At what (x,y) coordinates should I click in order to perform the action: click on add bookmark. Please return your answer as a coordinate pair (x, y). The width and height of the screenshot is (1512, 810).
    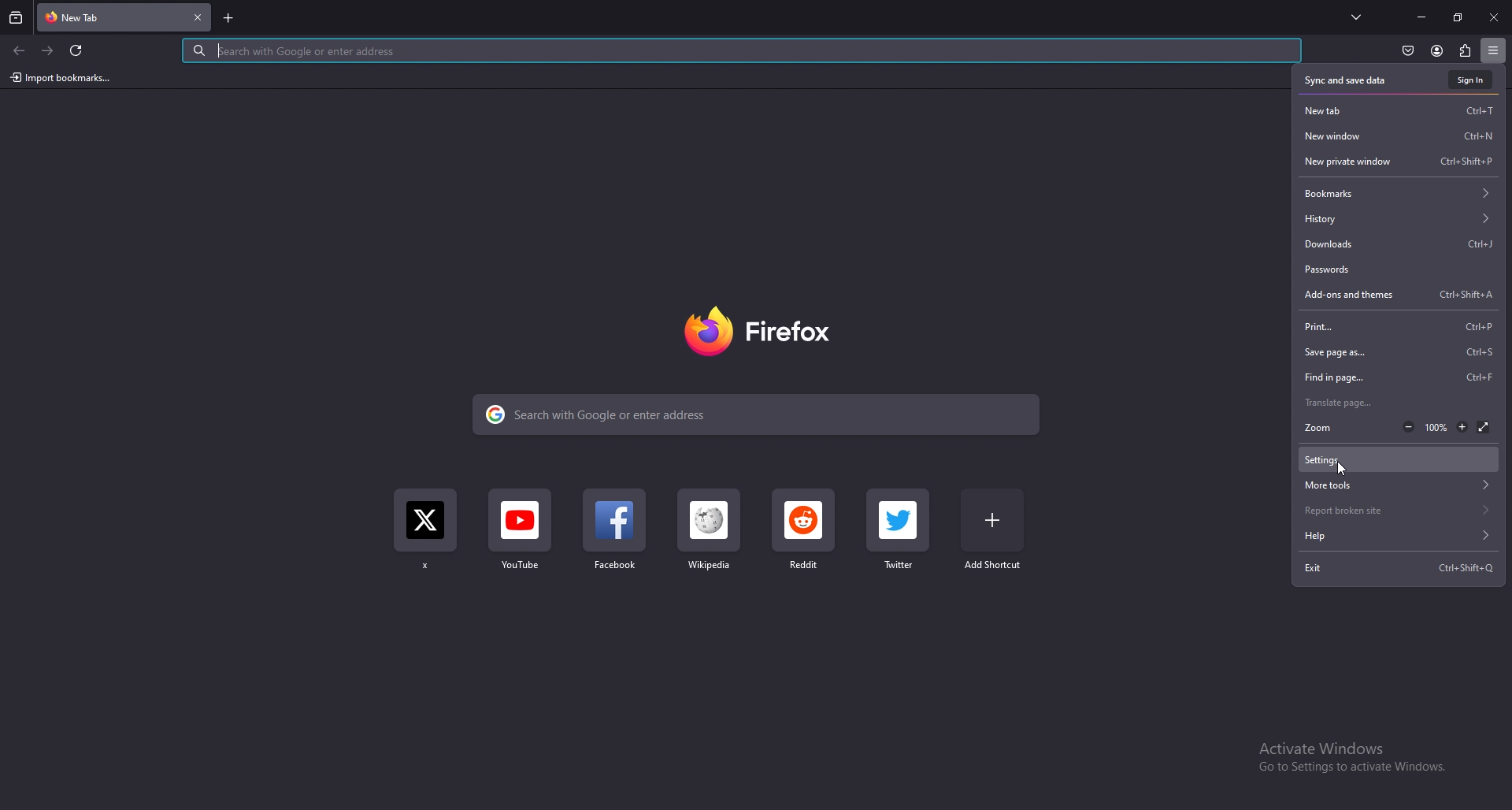
    Looking at the image, I should click on (995, 528).